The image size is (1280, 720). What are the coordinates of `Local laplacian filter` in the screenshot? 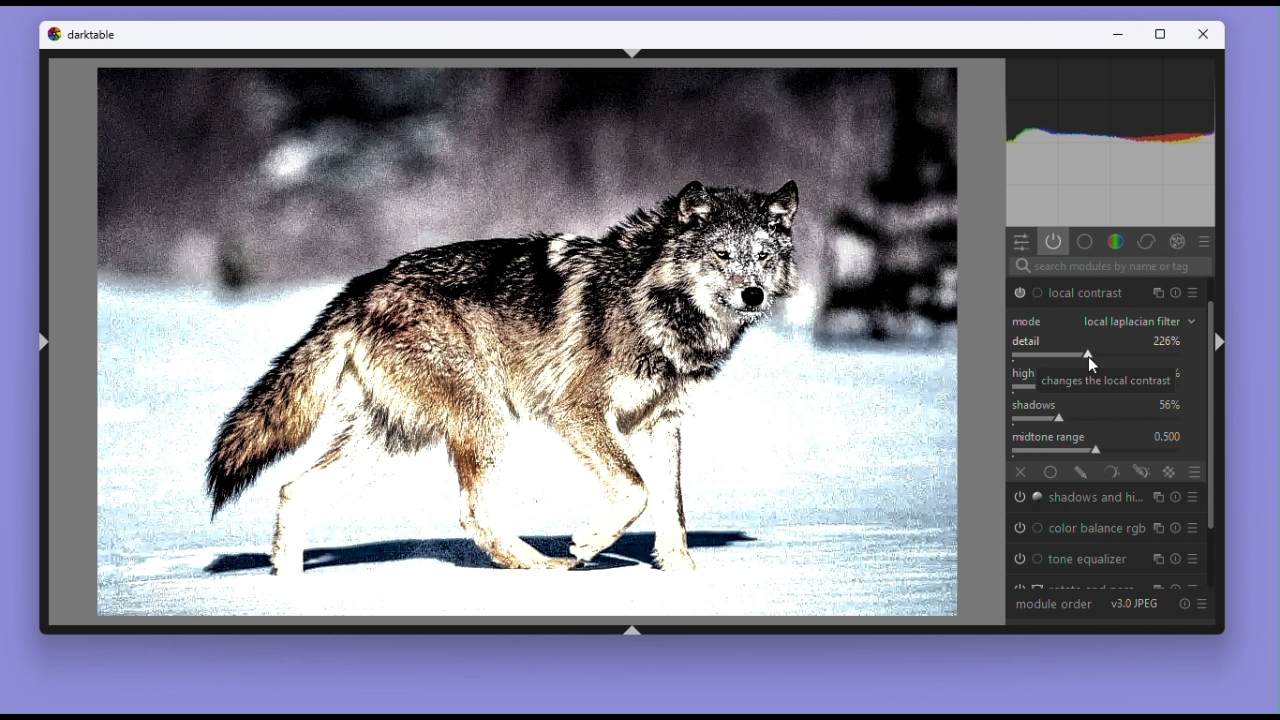 It's located at (1138, 319).